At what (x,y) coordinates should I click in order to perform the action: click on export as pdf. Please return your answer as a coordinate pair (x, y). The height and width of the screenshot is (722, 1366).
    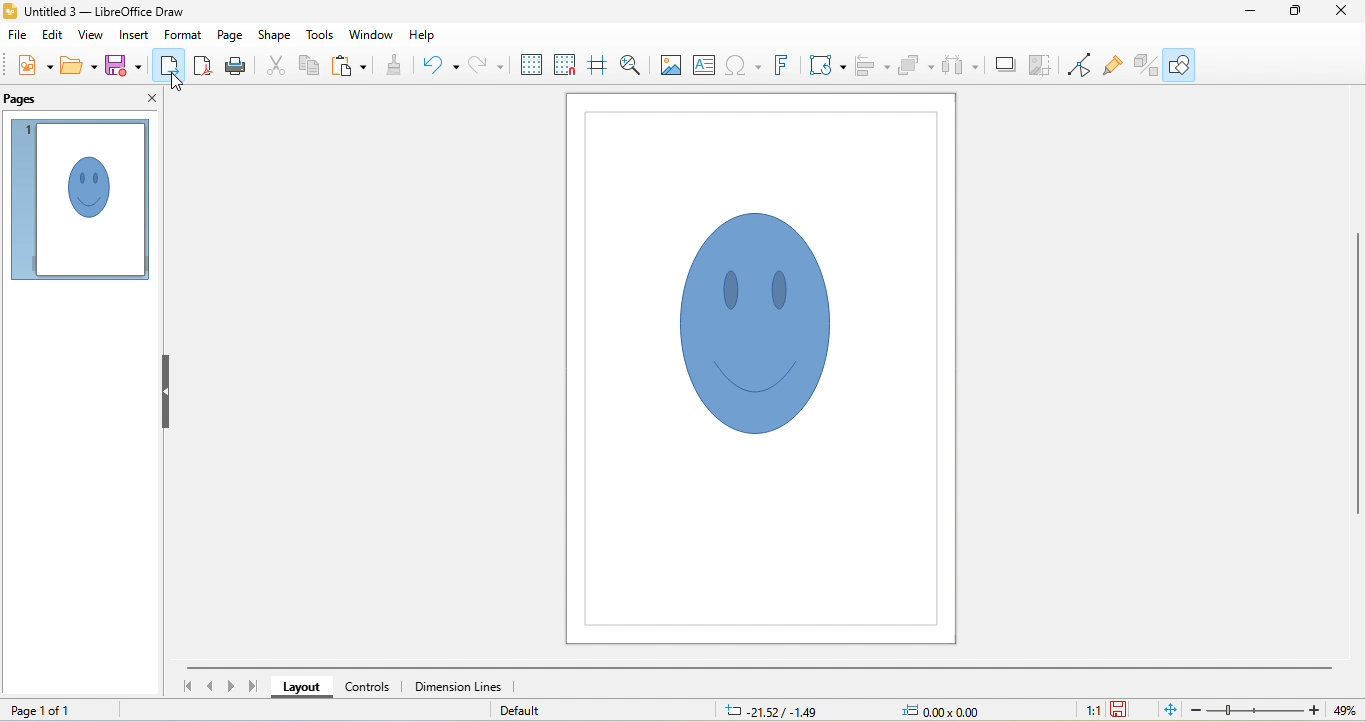
    Looking at the image, I should click on (204, 68).